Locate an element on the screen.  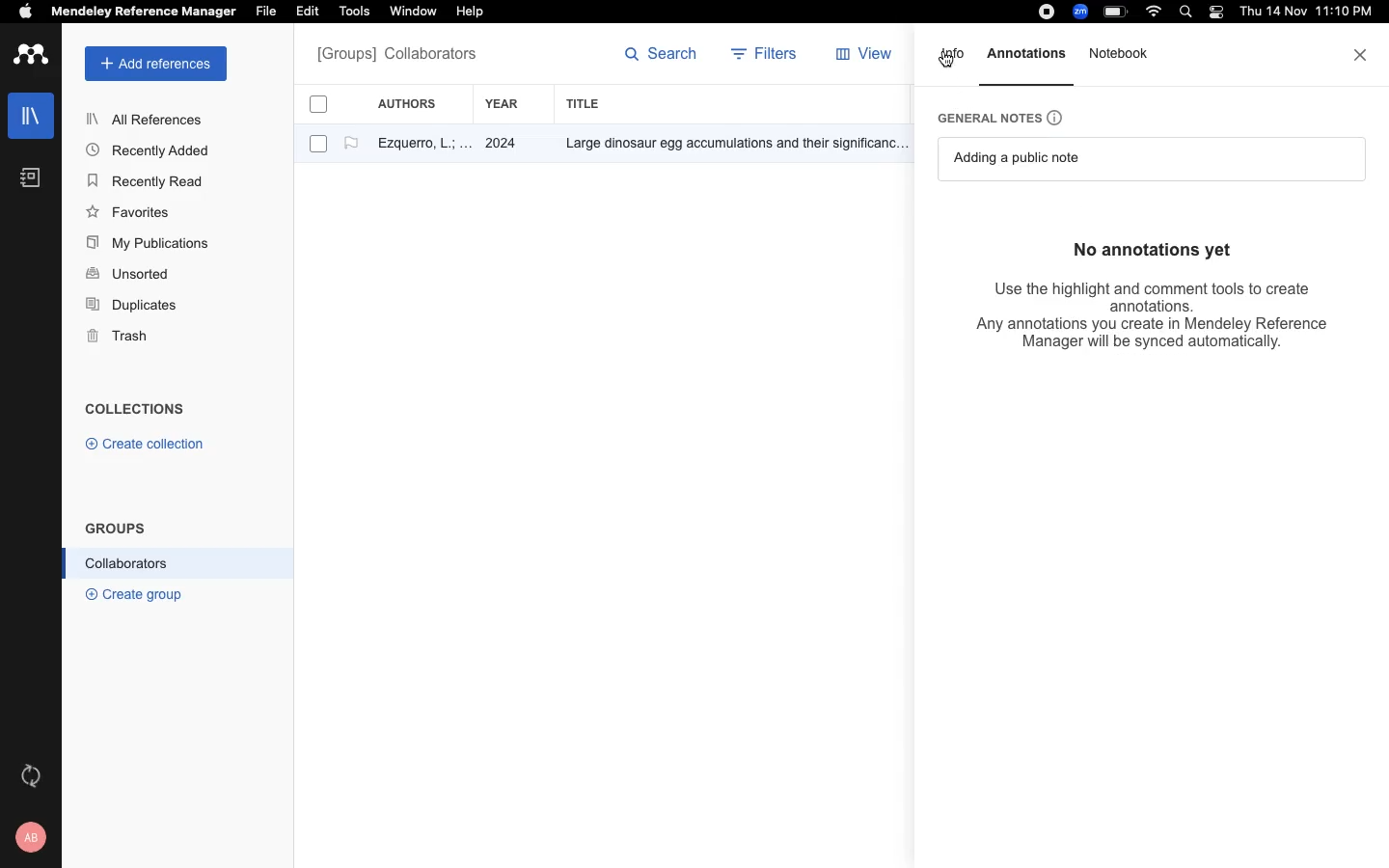
search is located at coordinates (1189, 14).